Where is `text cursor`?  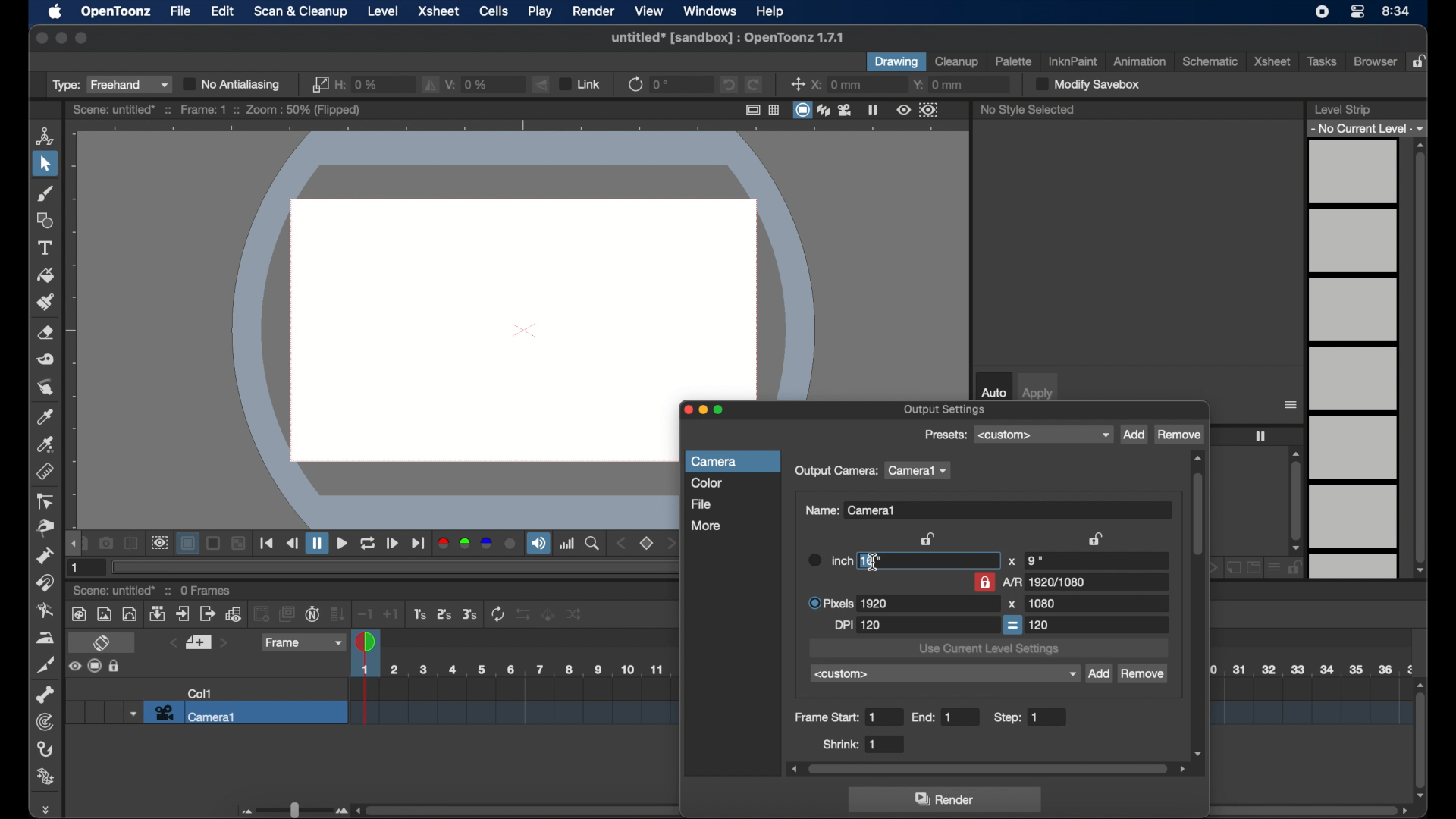 text cursor is located at coordinates (874, 563).